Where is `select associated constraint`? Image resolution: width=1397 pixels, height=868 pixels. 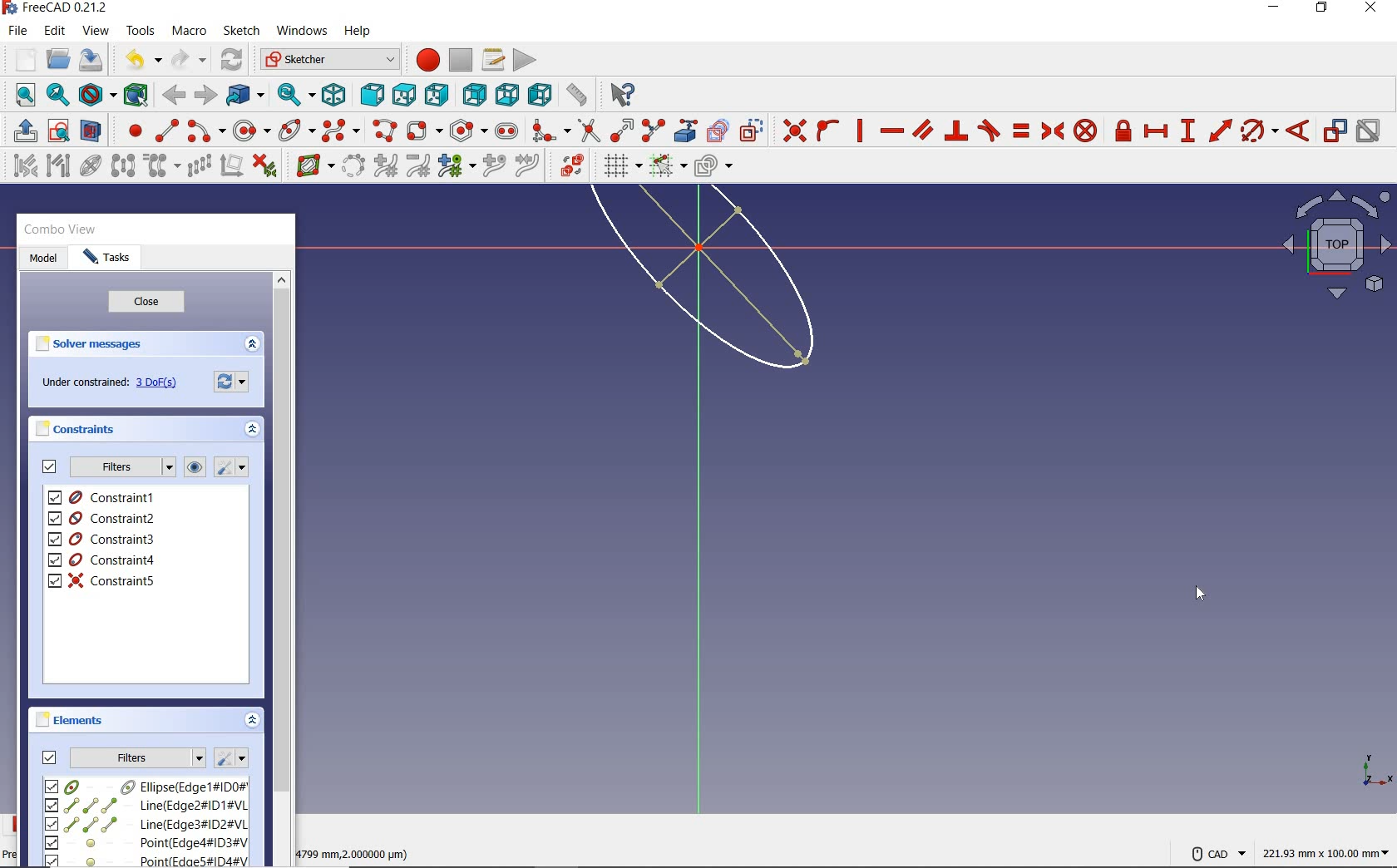 select associated constraint is located at coordinates (21, 165).